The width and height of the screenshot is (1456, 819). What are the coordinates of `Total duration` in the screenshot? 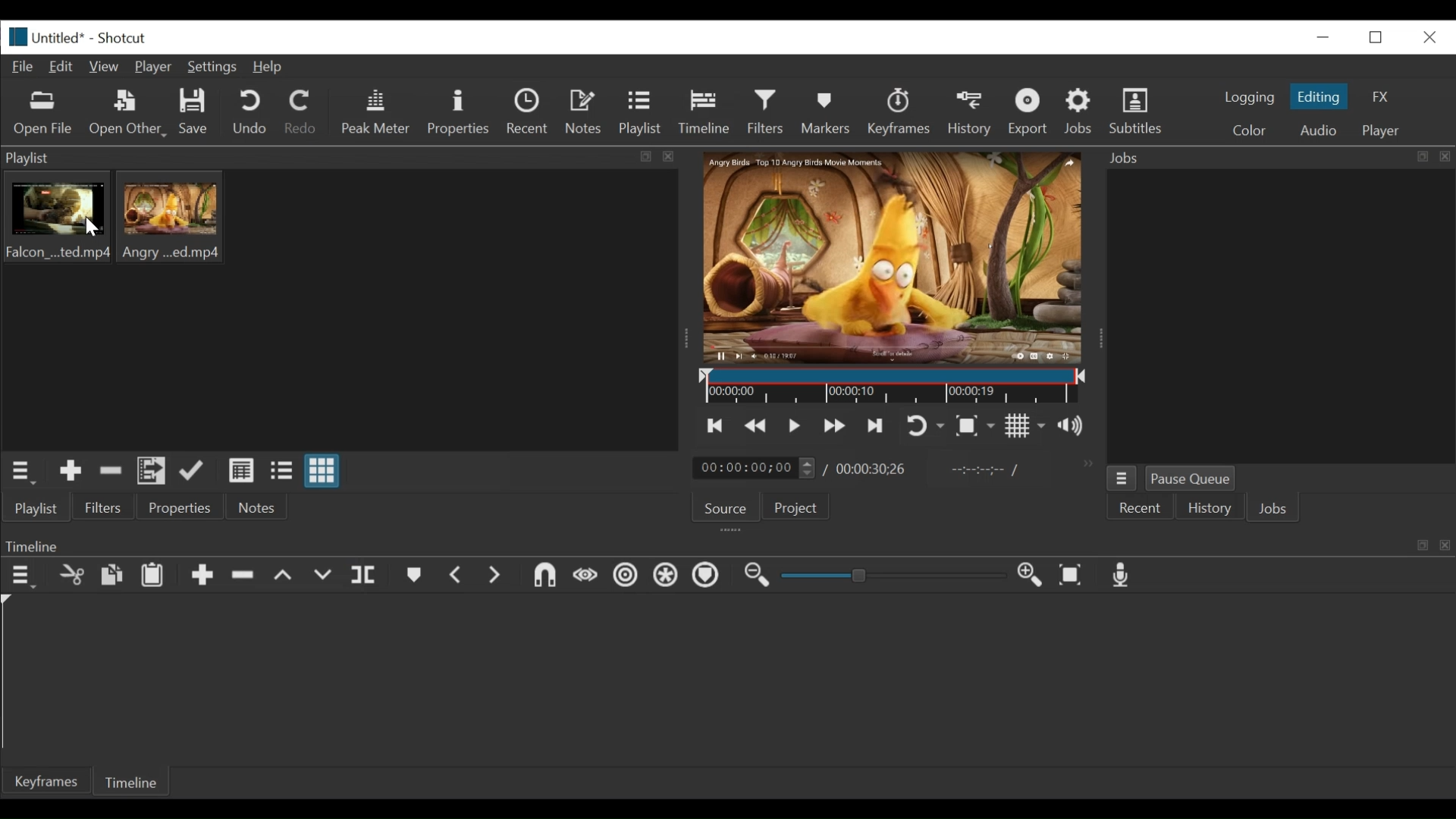 It's located at (876, 469).